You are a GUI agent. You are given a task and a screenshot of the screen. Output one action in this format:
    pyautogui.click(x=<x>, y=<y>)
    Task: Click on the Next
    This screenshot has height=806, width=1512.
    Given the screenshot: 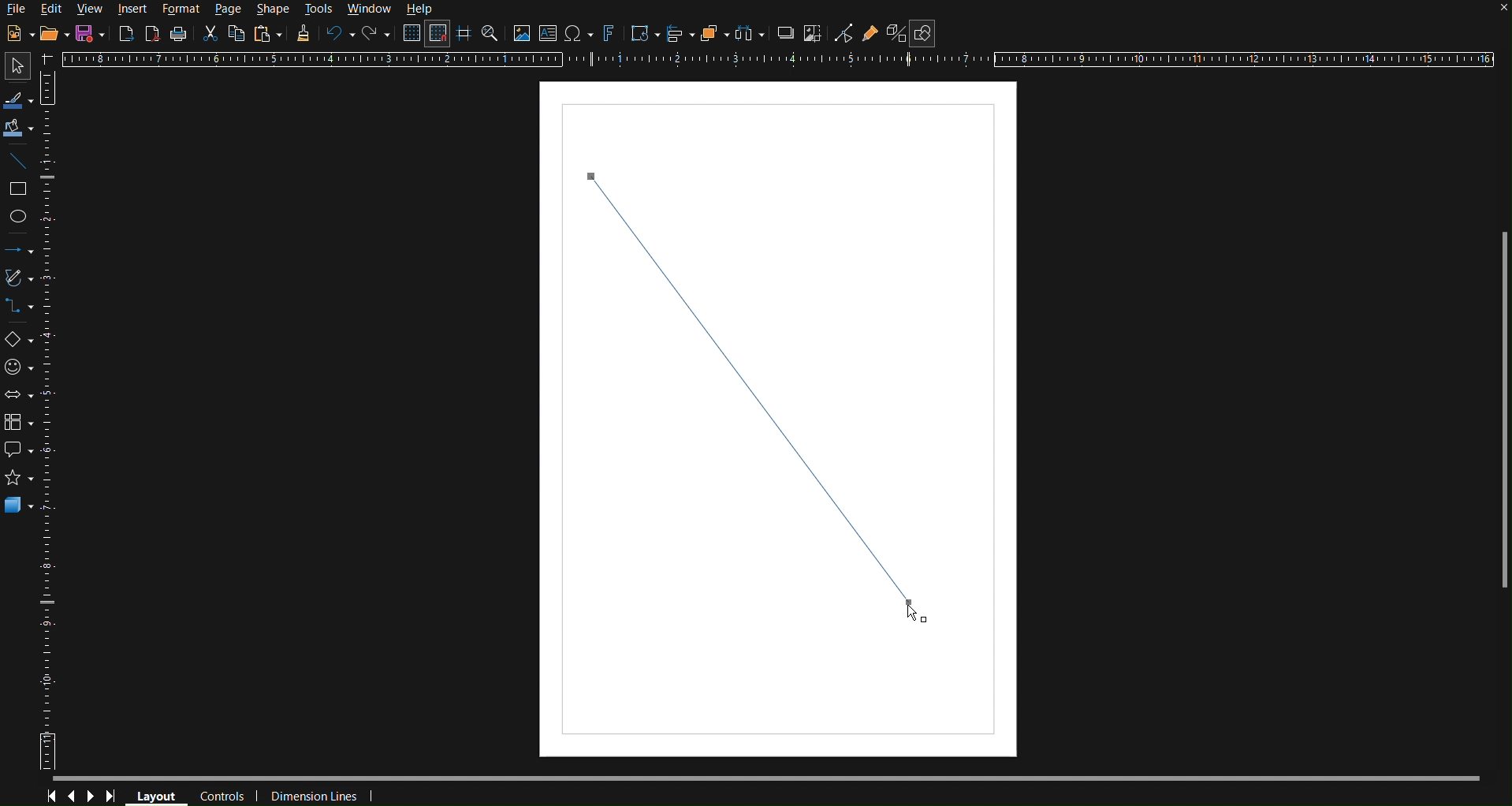 What is the action you would take?
    pyautogui.click(x=91, y=795)
    